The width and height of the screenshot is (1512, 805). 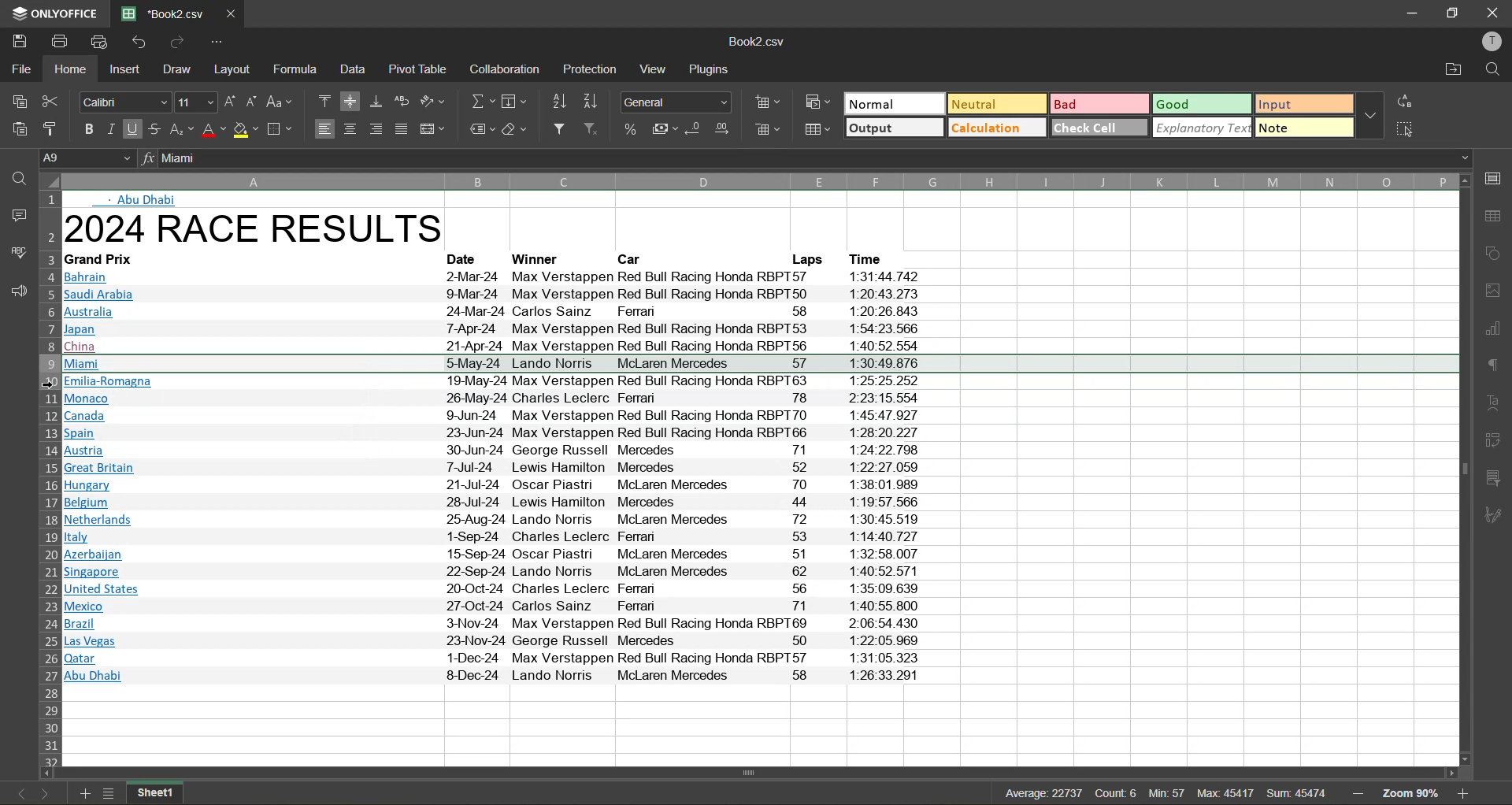 What do you see at coordinates (1099, 105) in the screenshot?
I see `bad` at bounding box center [1099, 105].